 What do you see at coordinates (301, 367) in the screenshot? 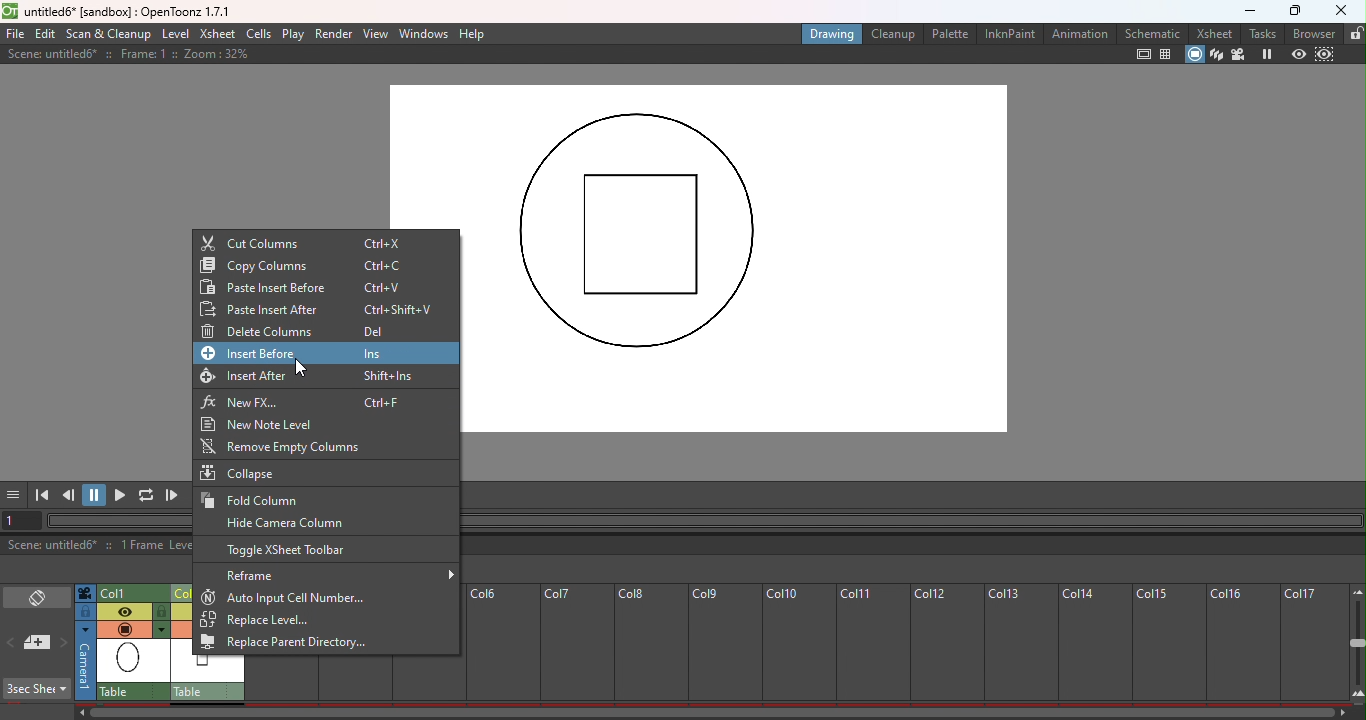
I see `Cursor` at bounding box center [301, 367].